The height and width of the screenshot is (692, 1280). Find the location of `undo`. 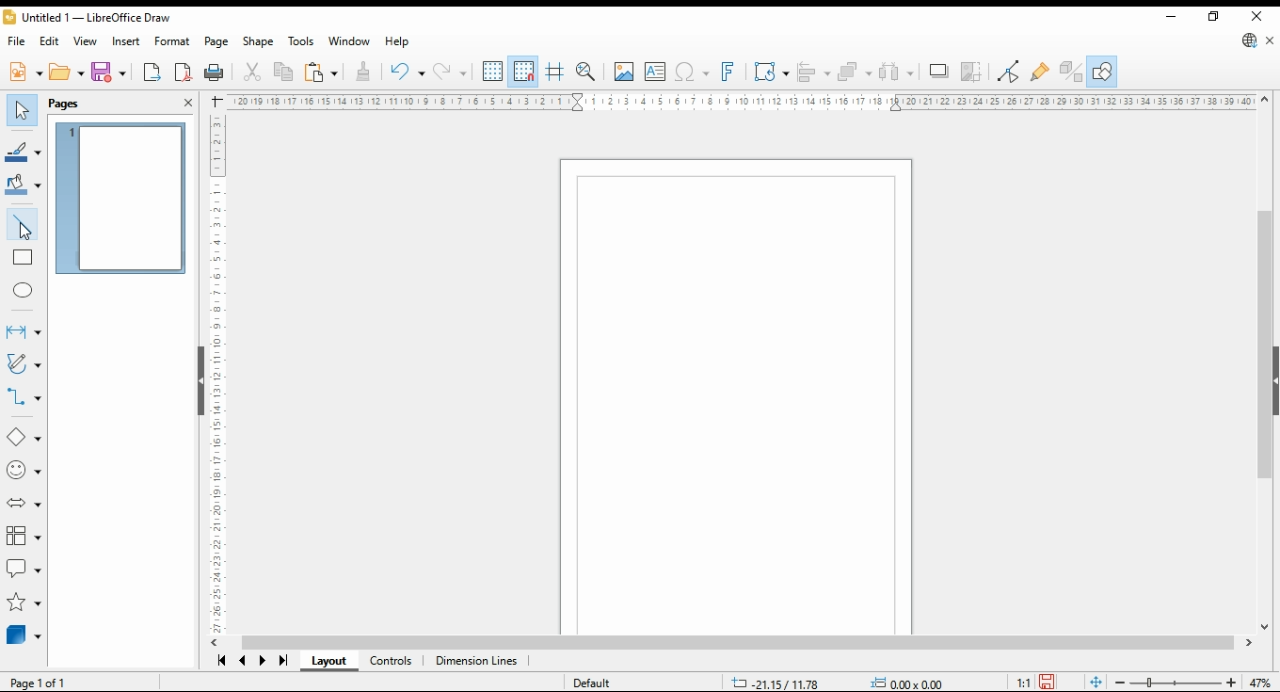

undo is located at coordinates (452, 72).